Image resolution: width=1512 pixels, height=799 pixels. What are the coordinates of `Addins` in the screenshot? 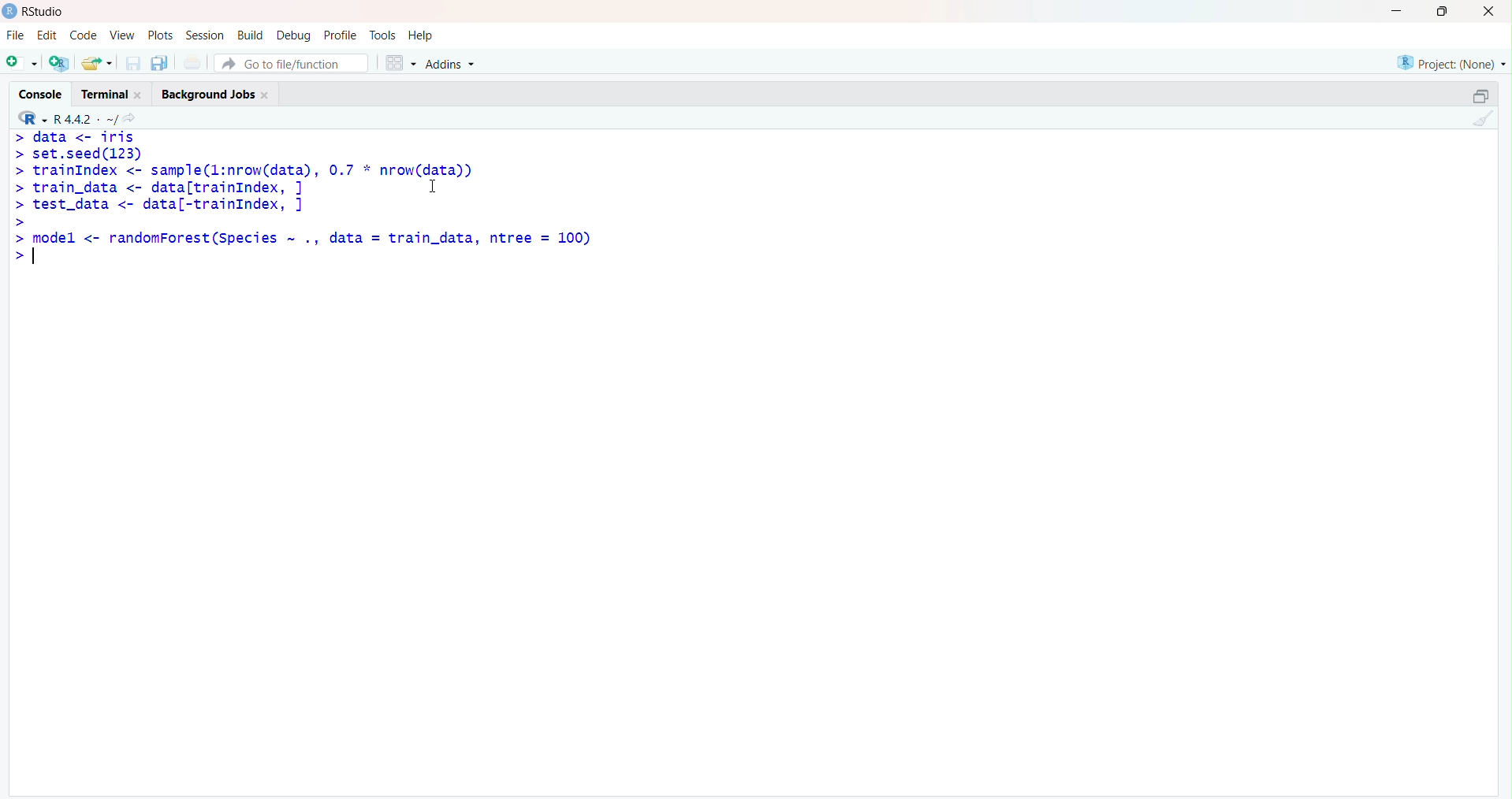 It's located at (452, 62).